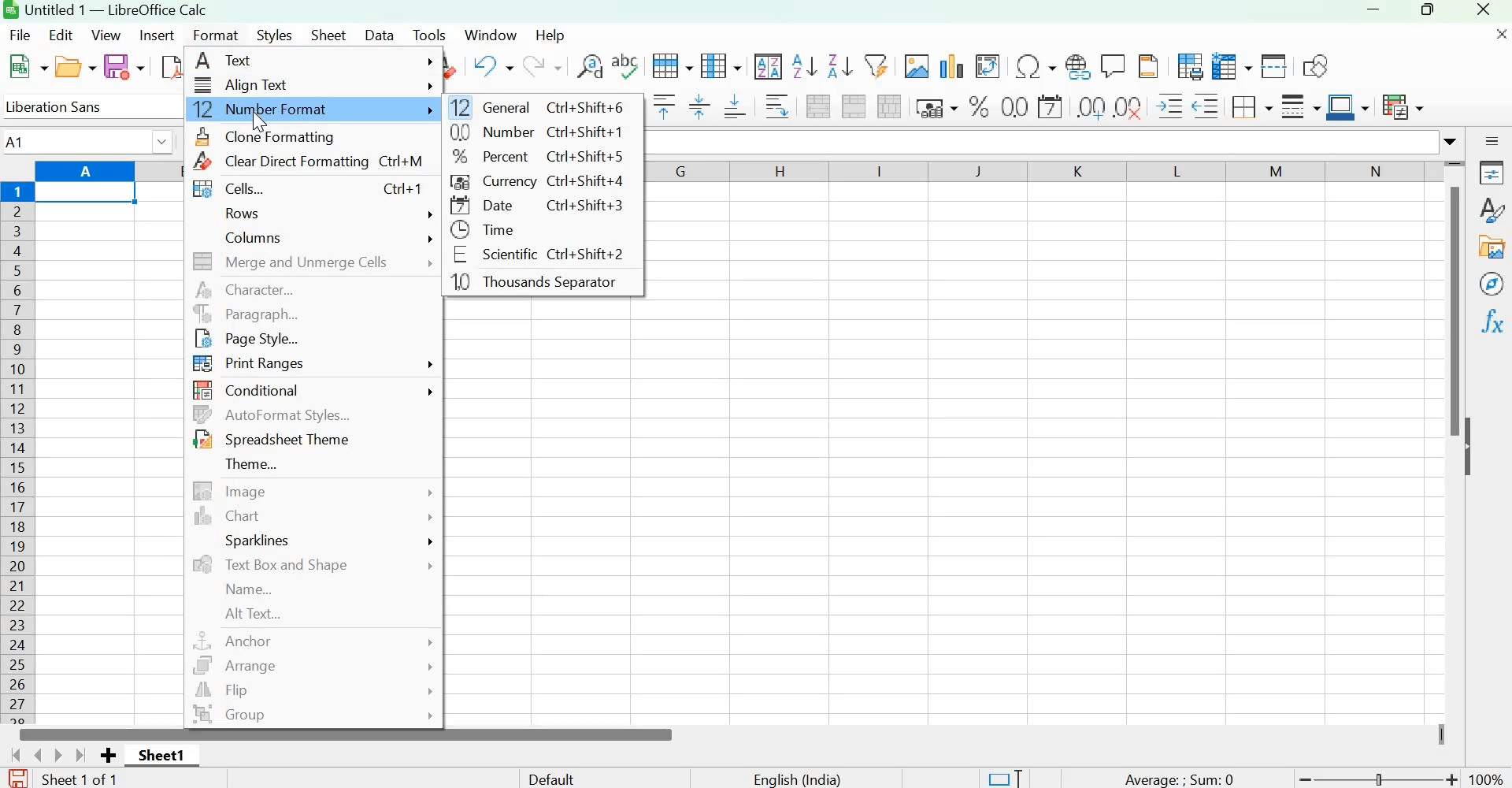 The height and width of the screenshot is (788, 1512). What do you see at coordinates (1042, 444) in the screenshot?
I see `workspace` at bounding box center [1042, 444].